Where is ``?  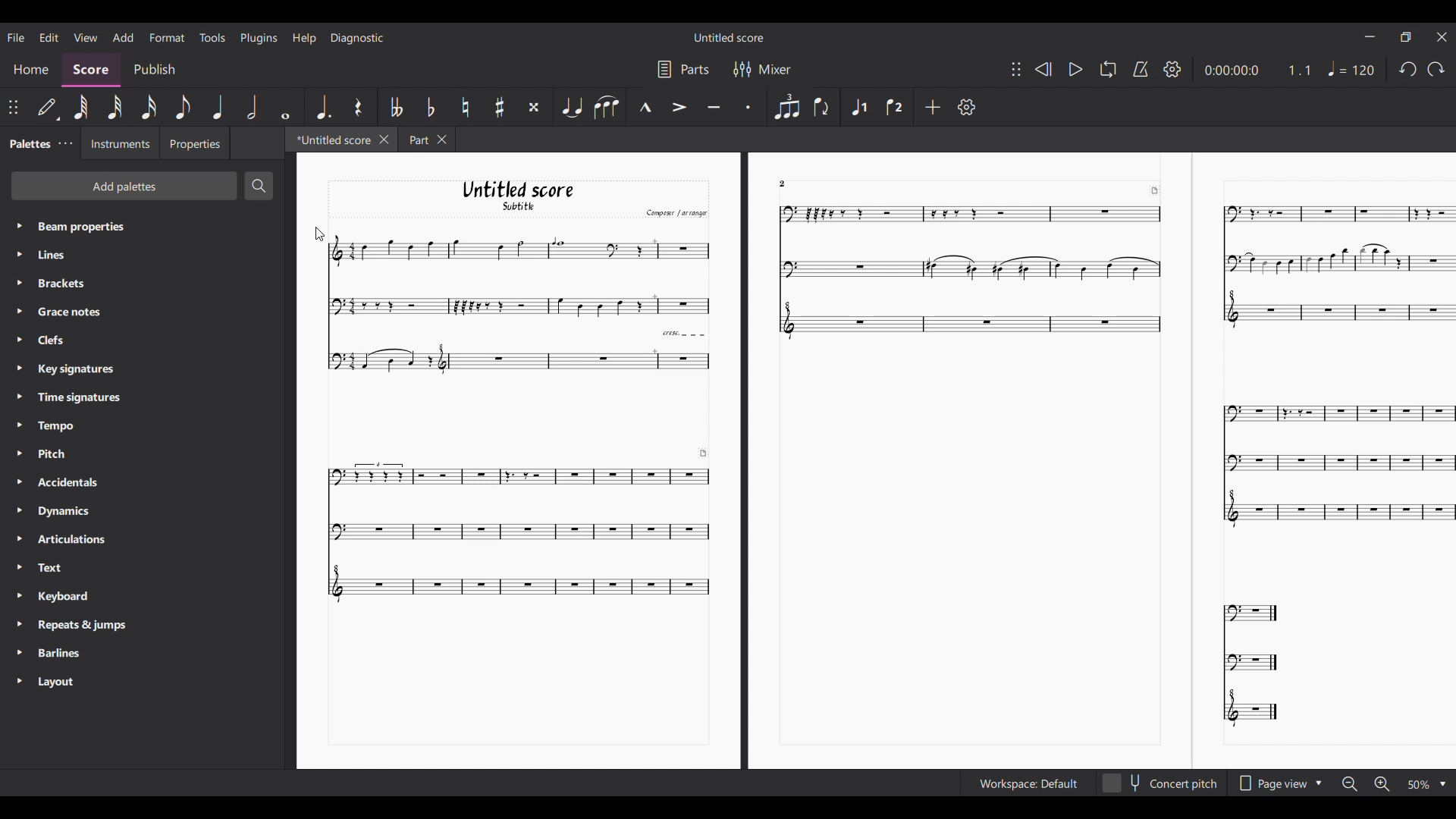
 is located at coordinates (18, 457).